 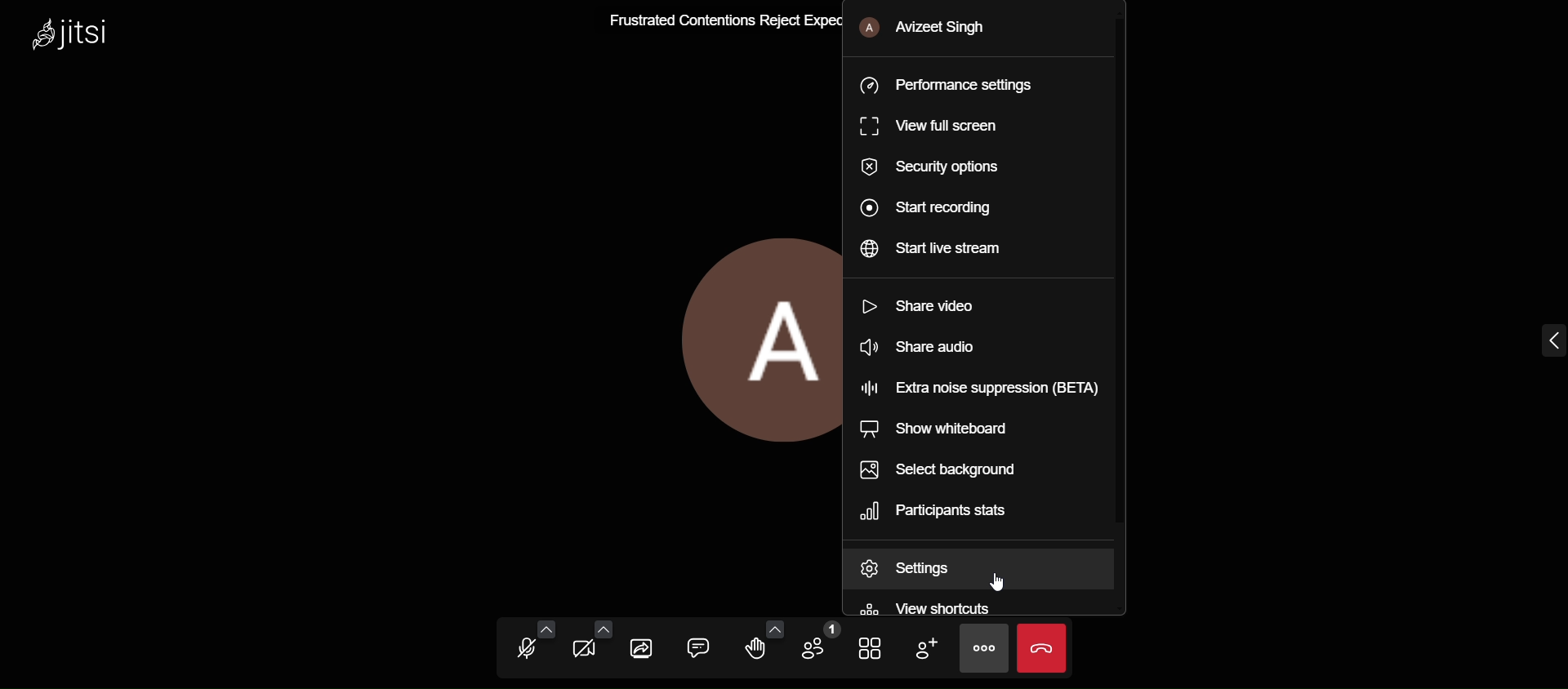 I want to click on select background, so click(x=953, y=471).